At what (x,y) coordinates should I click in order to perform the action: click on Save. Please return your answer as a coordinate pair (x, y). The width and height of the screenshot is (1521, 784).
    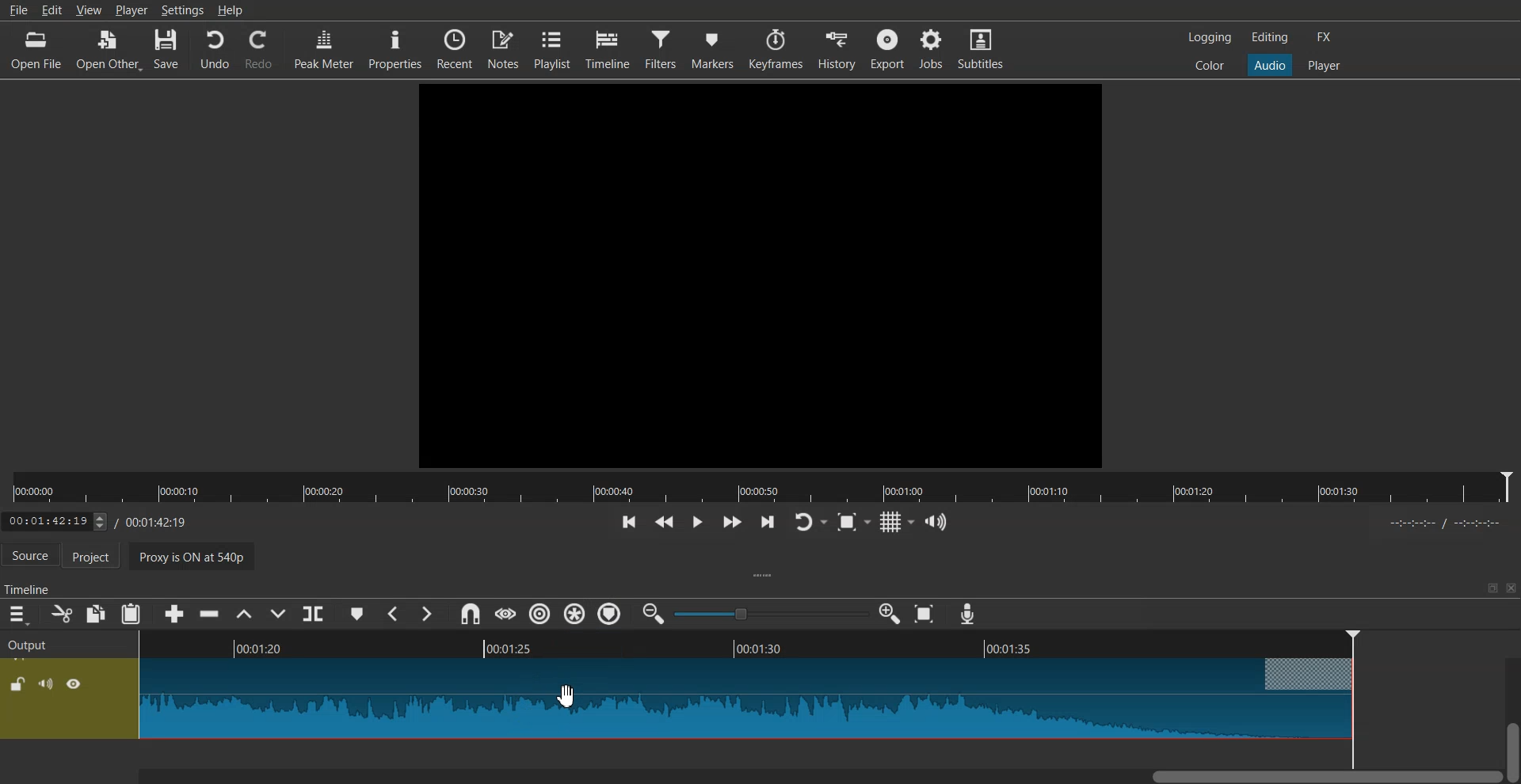
    Looking at the image, I should click on (168, 49).